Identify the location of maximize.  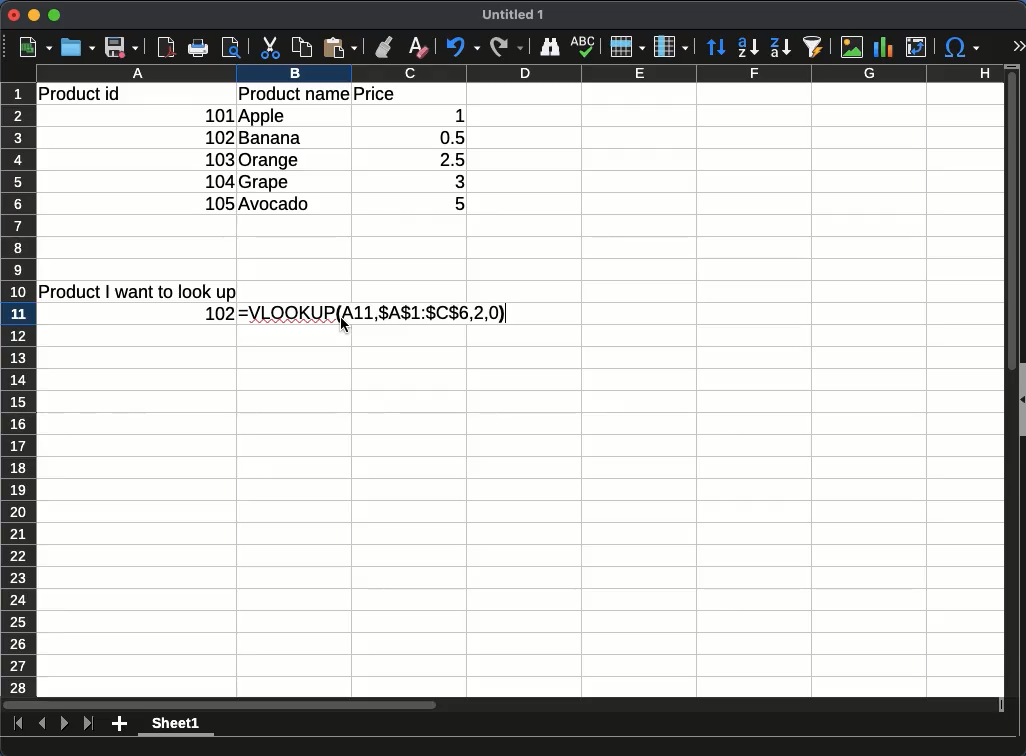
(54, 15).